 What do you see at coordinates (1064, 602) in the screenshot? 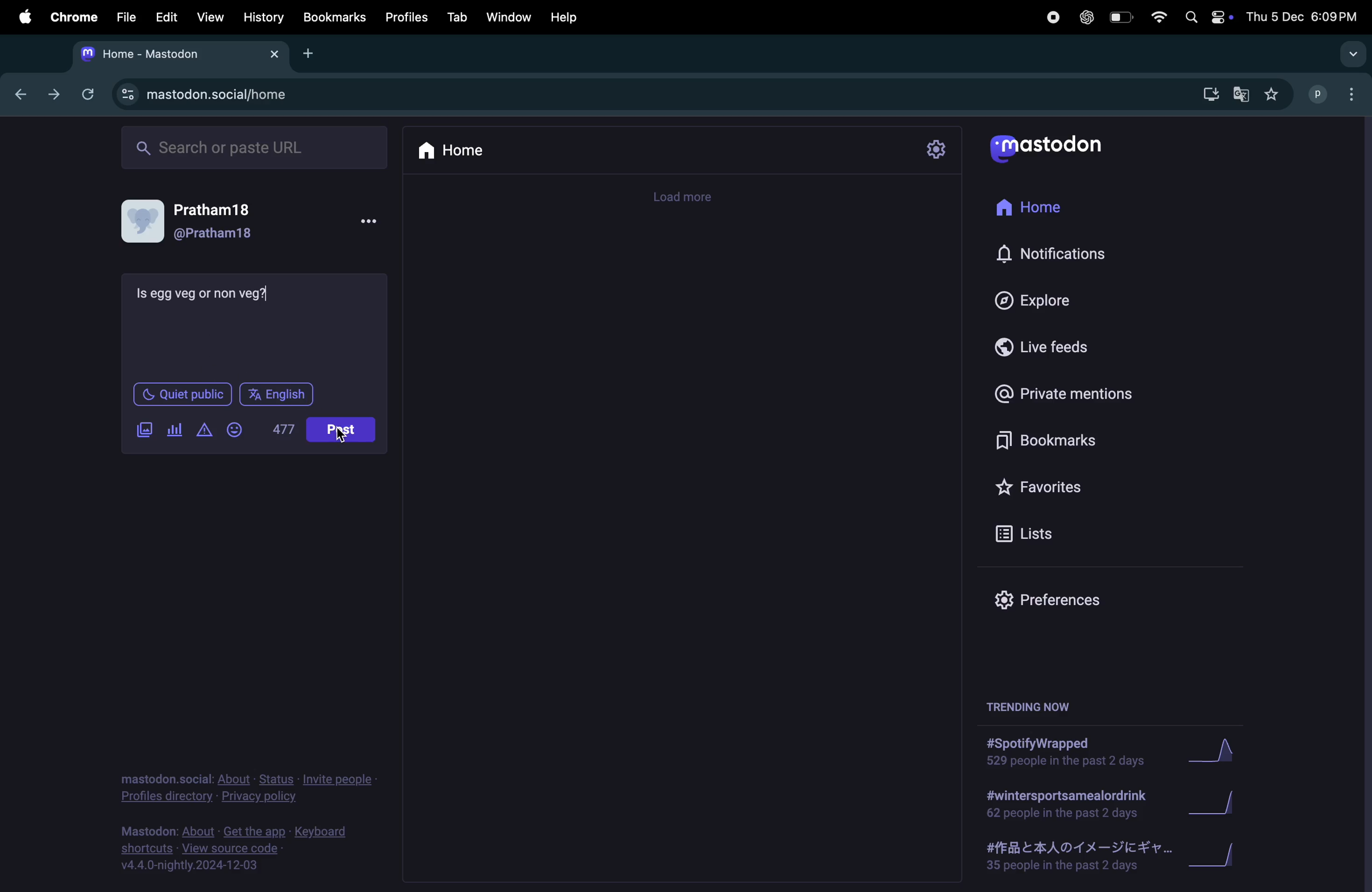
I see `prefences` at bounding box center [1064, 602].